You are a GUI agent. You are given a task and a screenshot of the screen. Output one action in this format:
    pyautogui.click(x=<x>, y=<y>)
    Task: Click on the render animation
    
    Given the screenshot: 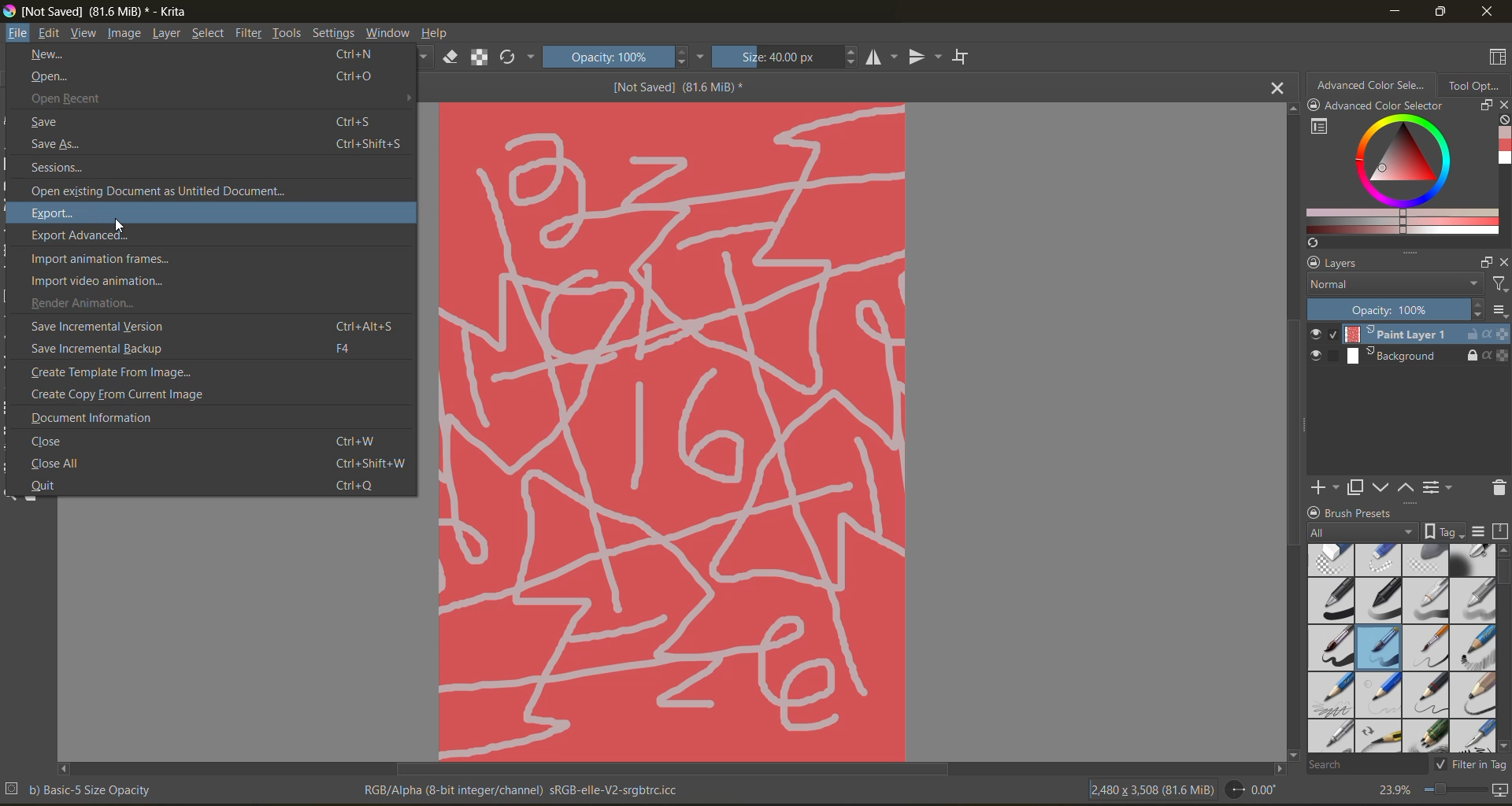 What is the action you would take?
    pyautogui.click(x=84, y=304)
    